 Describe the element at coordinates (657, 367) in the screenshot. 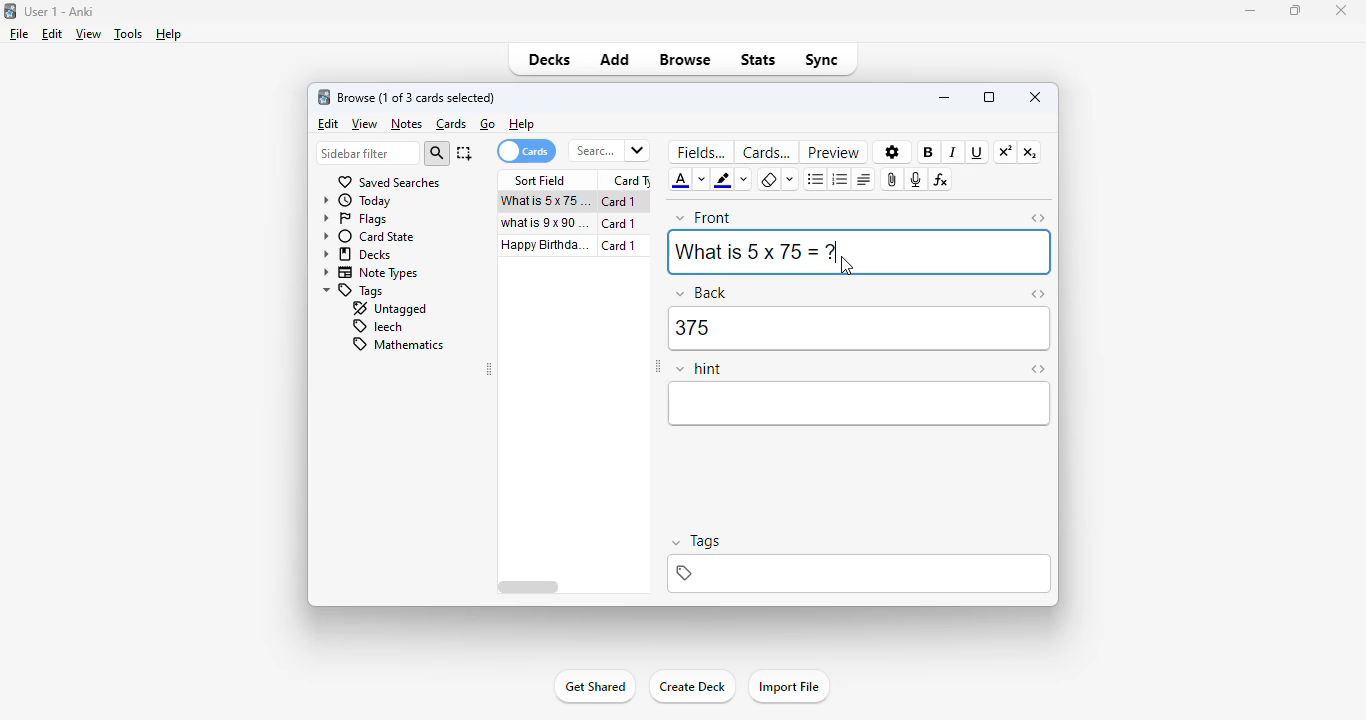

I see `toggle sidebar` at that location.